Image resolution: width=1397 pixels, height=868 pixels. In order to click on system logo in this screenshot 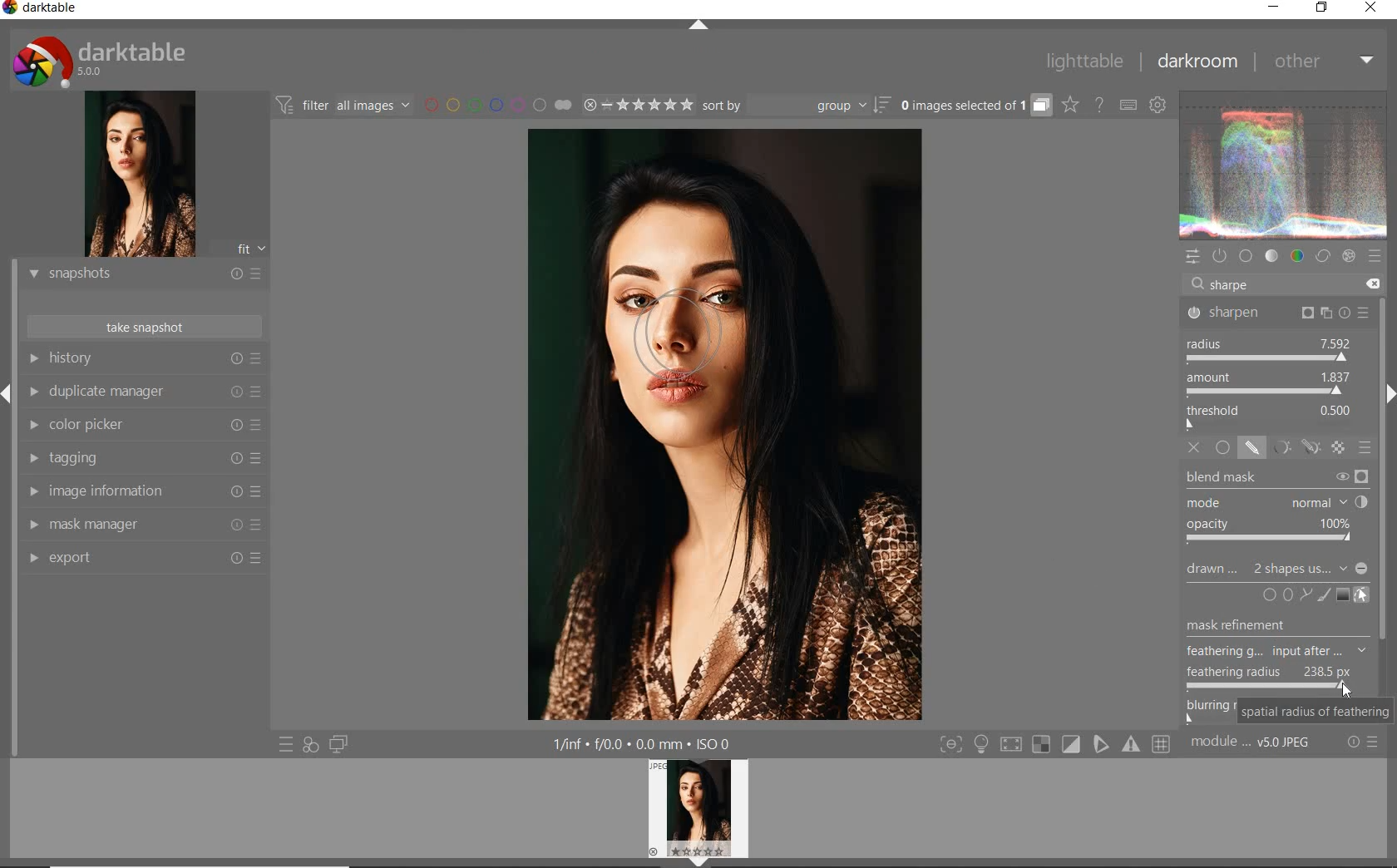, I will do `click(102, 61)`.